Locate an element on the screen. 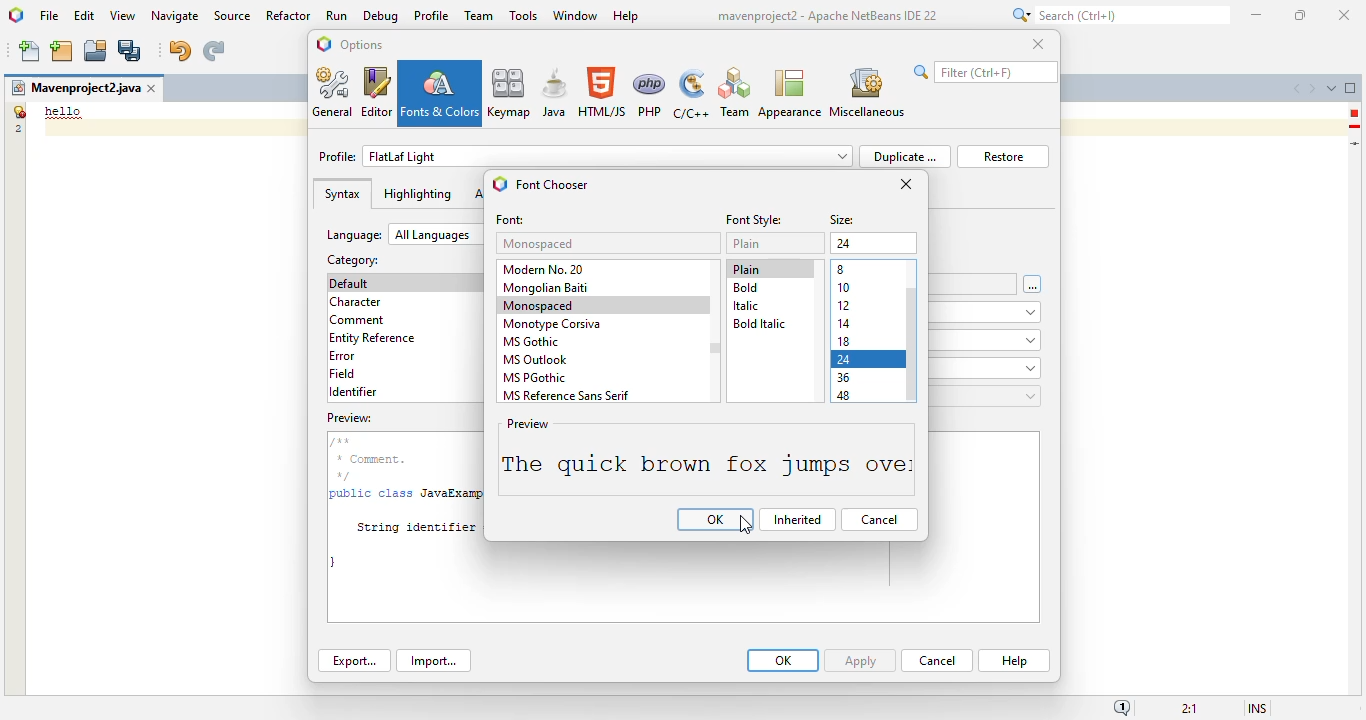 This screenshot has width=1366, height=720. monospaced is located at coordinates (540, 243).